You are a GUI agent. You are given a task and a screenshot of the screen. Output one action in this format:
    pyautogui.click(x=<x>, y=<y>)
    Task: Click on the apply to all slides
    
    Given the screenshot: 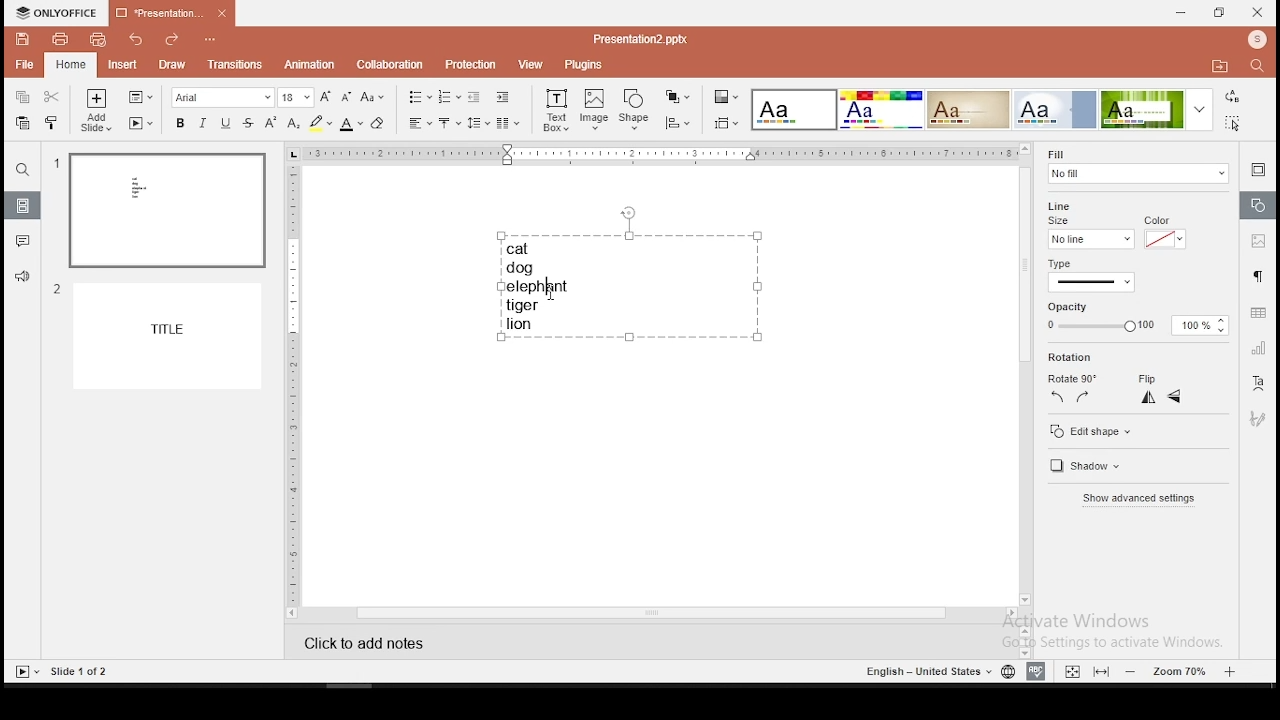 What is the action you would take?
    pyautogui.click(x=1100, y=326)
    